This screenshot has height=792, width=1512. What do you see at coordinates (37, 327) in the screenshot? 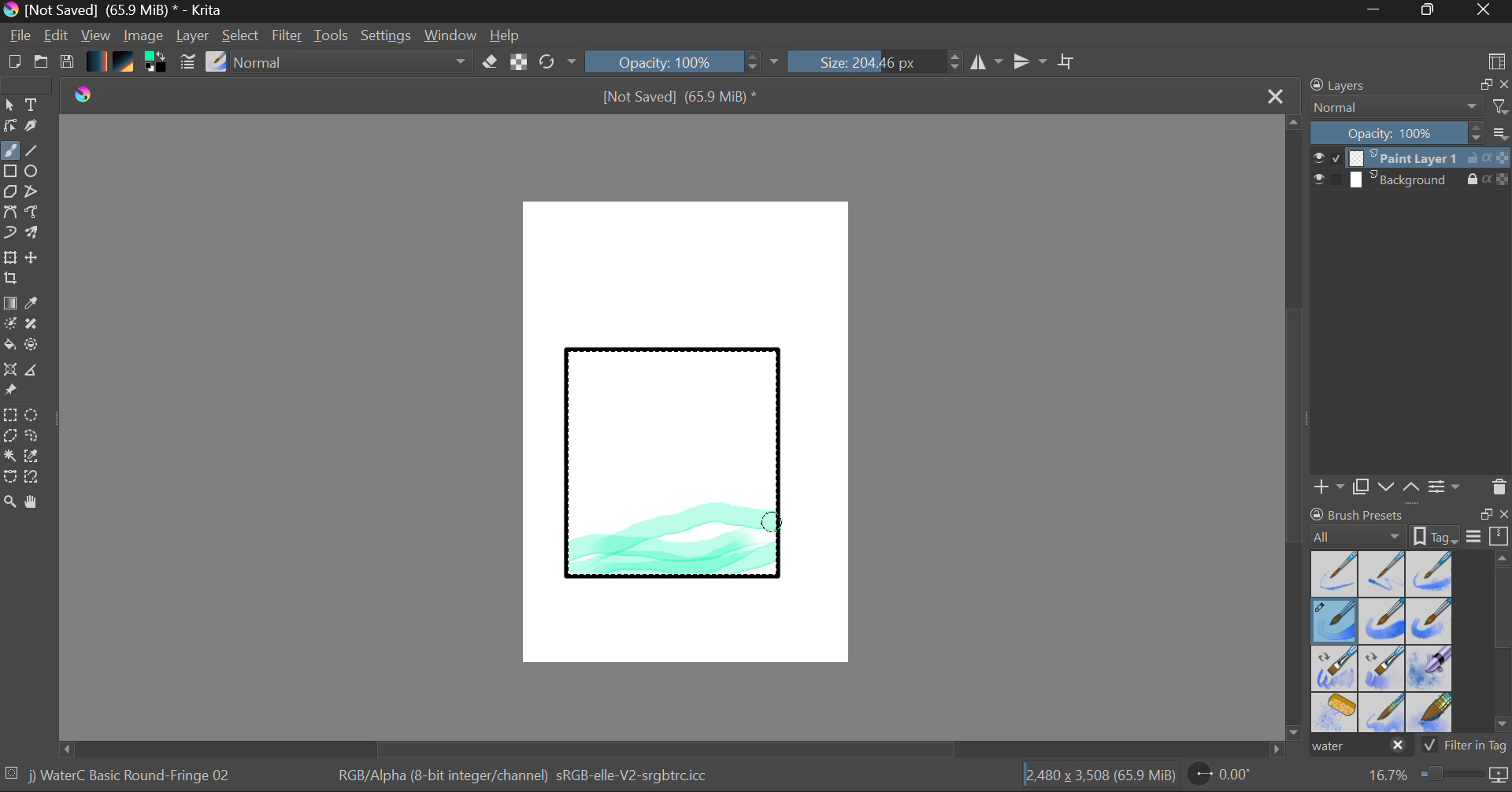
I see `Smart Patch Tool` at bounding box center [37, 327].